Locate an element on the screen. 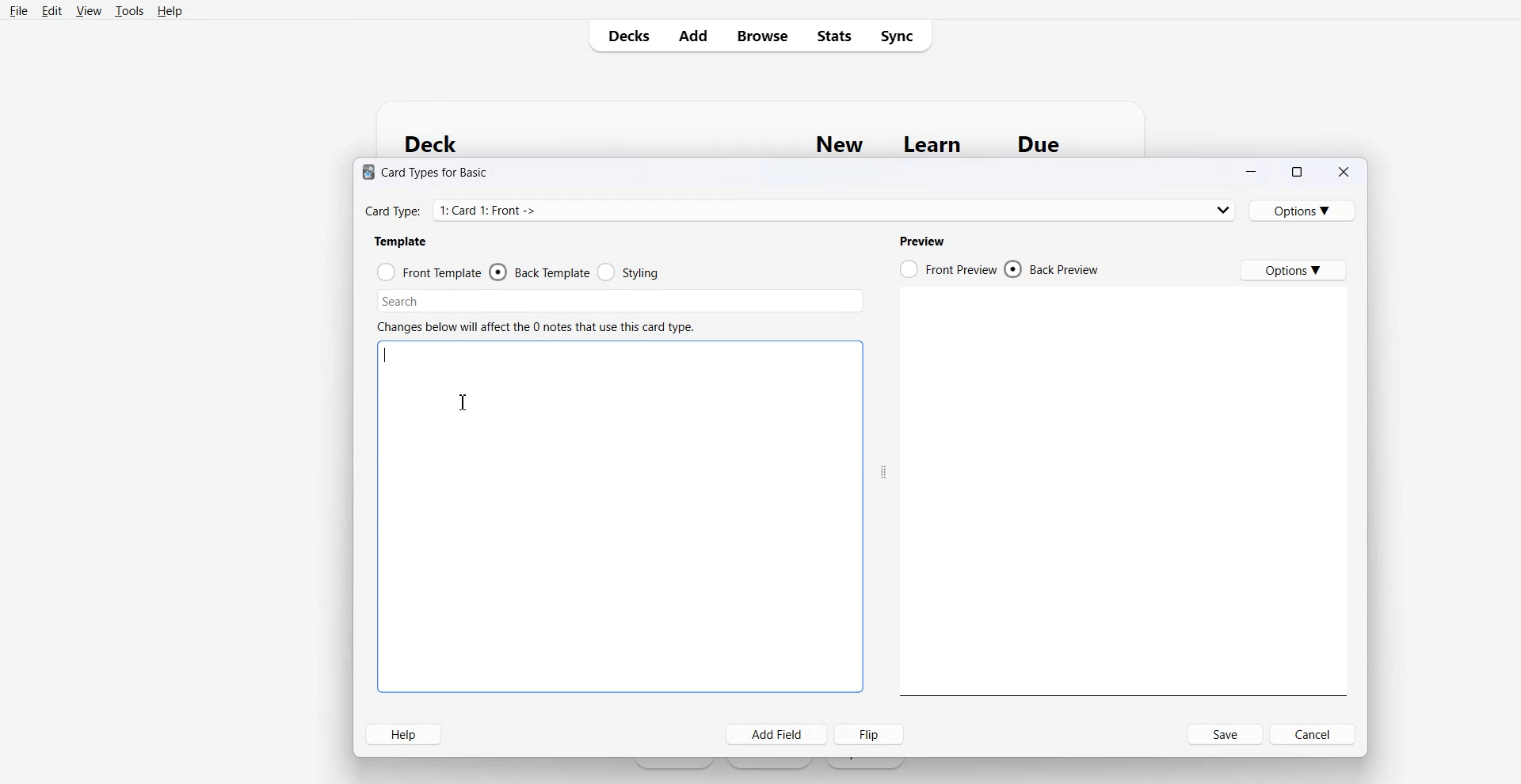 This screenshot has height=784, width=1521. Sync is located at coordinates (900, 35).